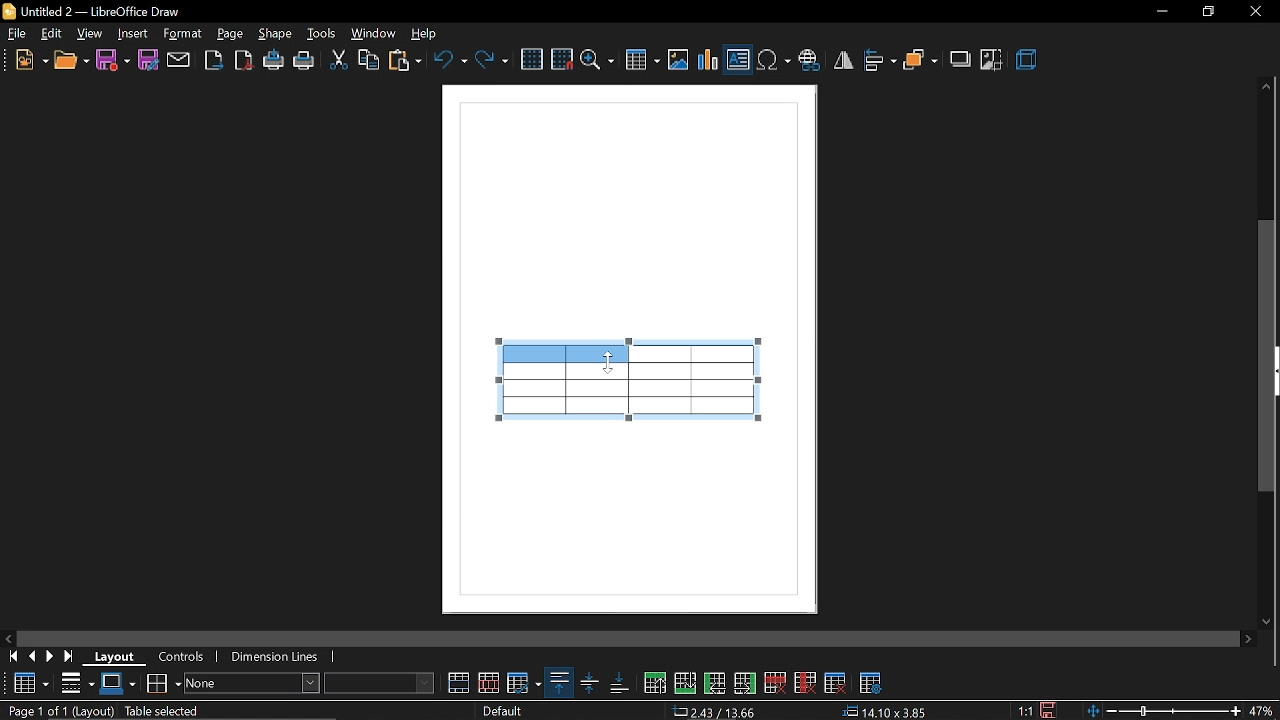 The image size is (1280, 720). What do you see at coordinates (305, 62) in the screenshot?
I see `print` at bounding box center [305, 62].